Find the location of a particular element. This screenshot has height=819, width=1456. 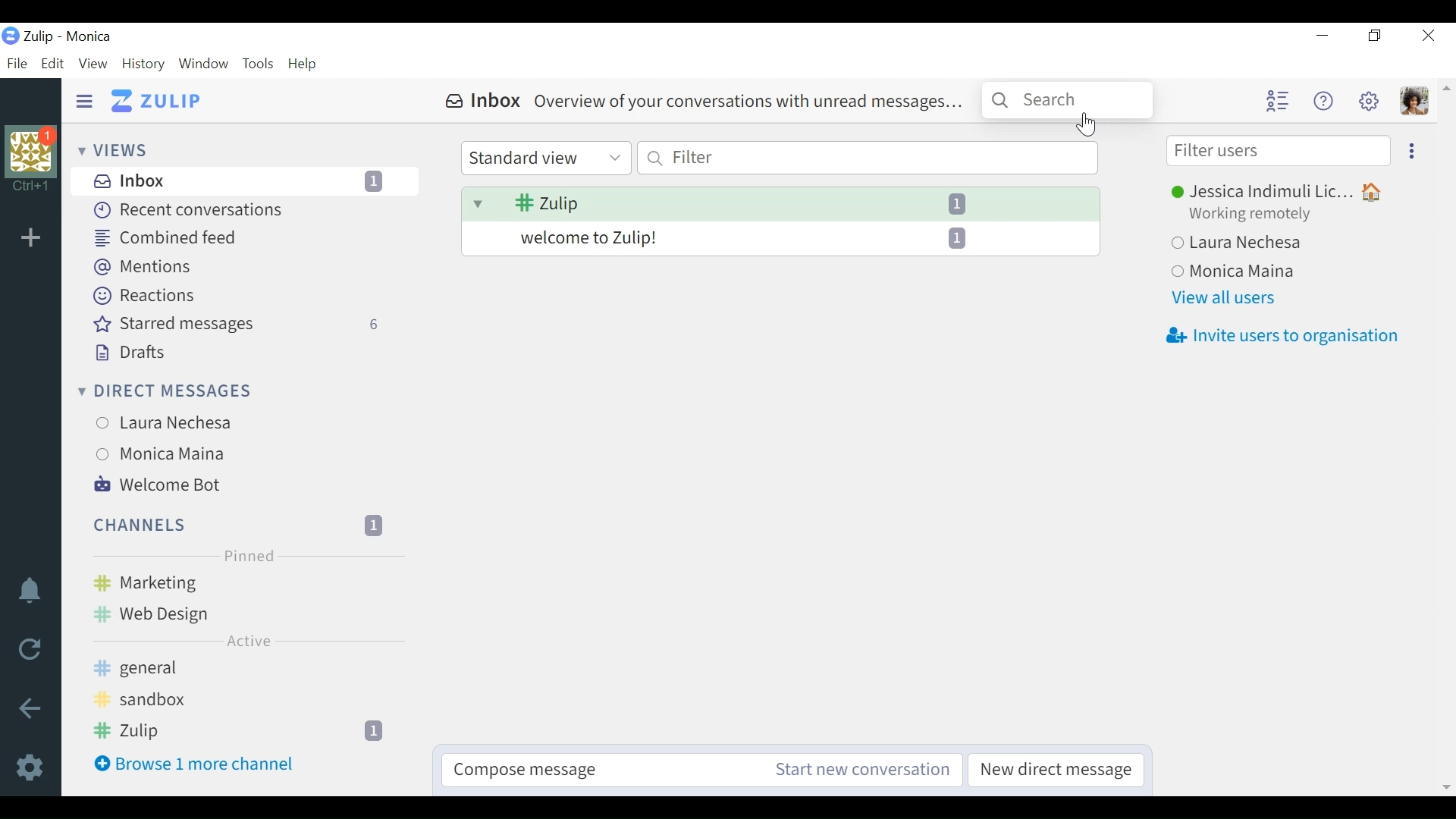

add organisation is located at coordinates (35, 243).